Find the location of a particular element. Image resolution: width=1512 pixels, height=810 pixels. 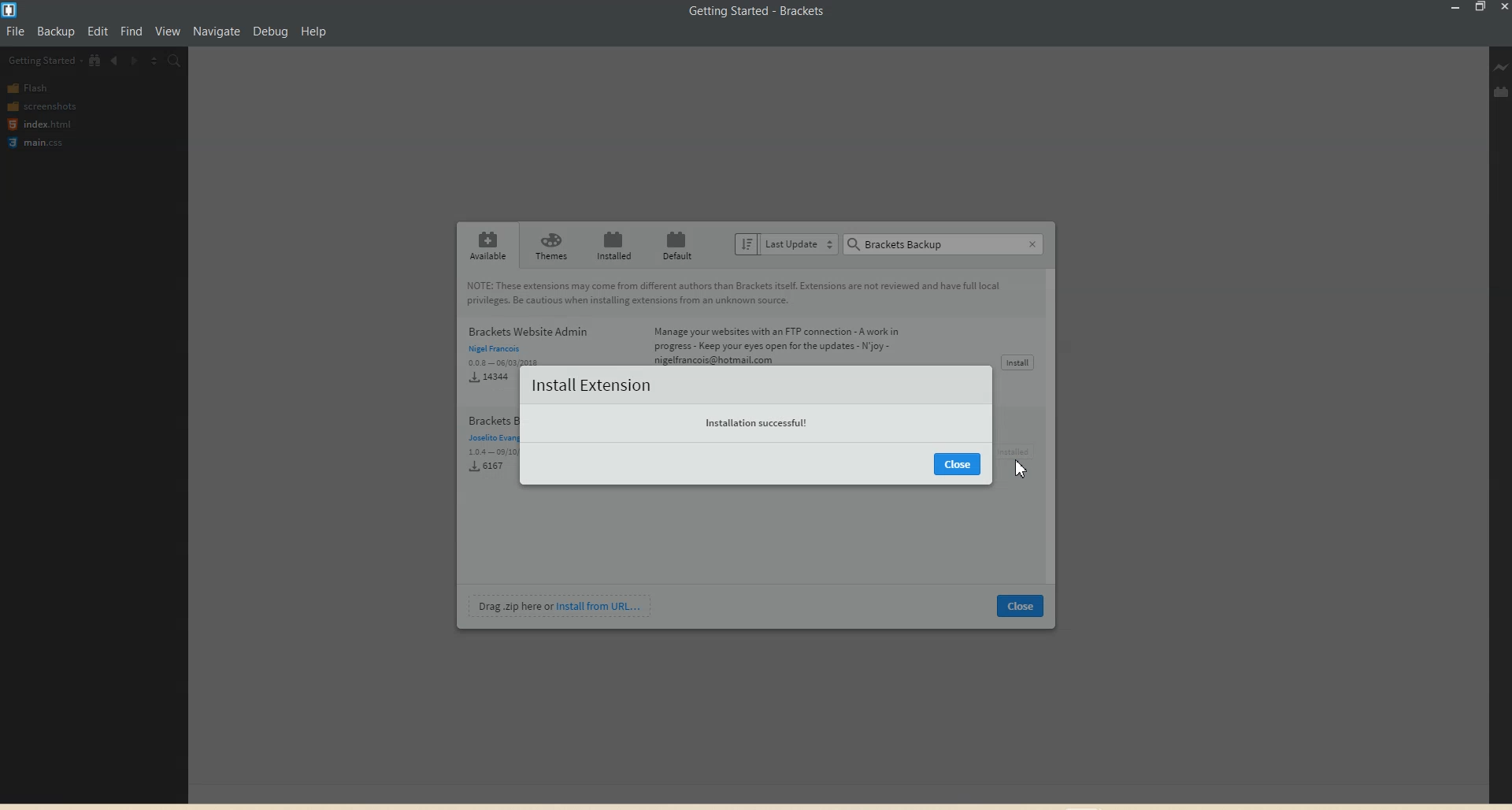

View in file Tree is located at coordinates (95, 60).